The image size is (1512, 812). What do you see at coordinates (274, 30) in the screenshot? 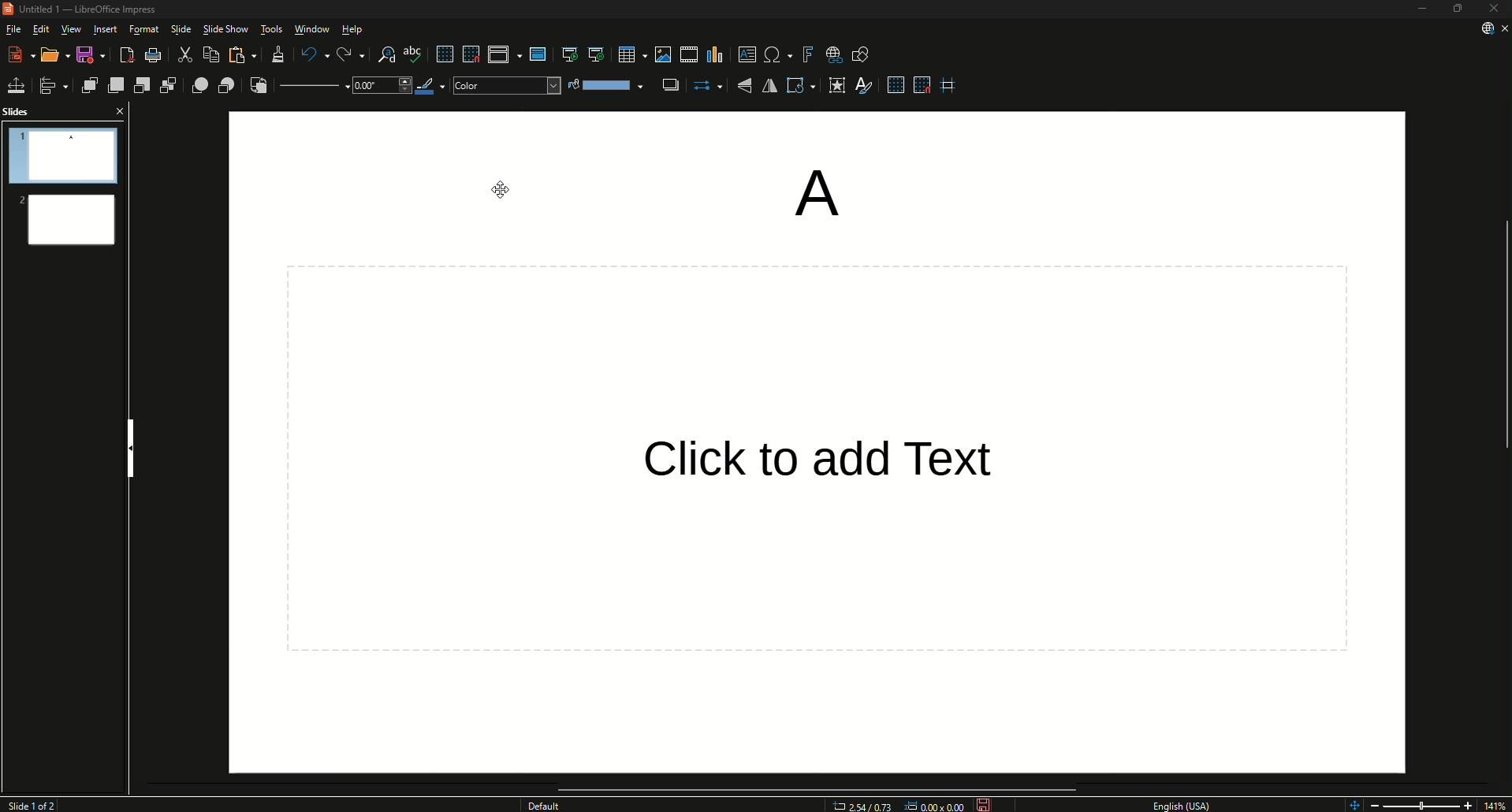
I see `Tools` at bounding box center [274, 30].